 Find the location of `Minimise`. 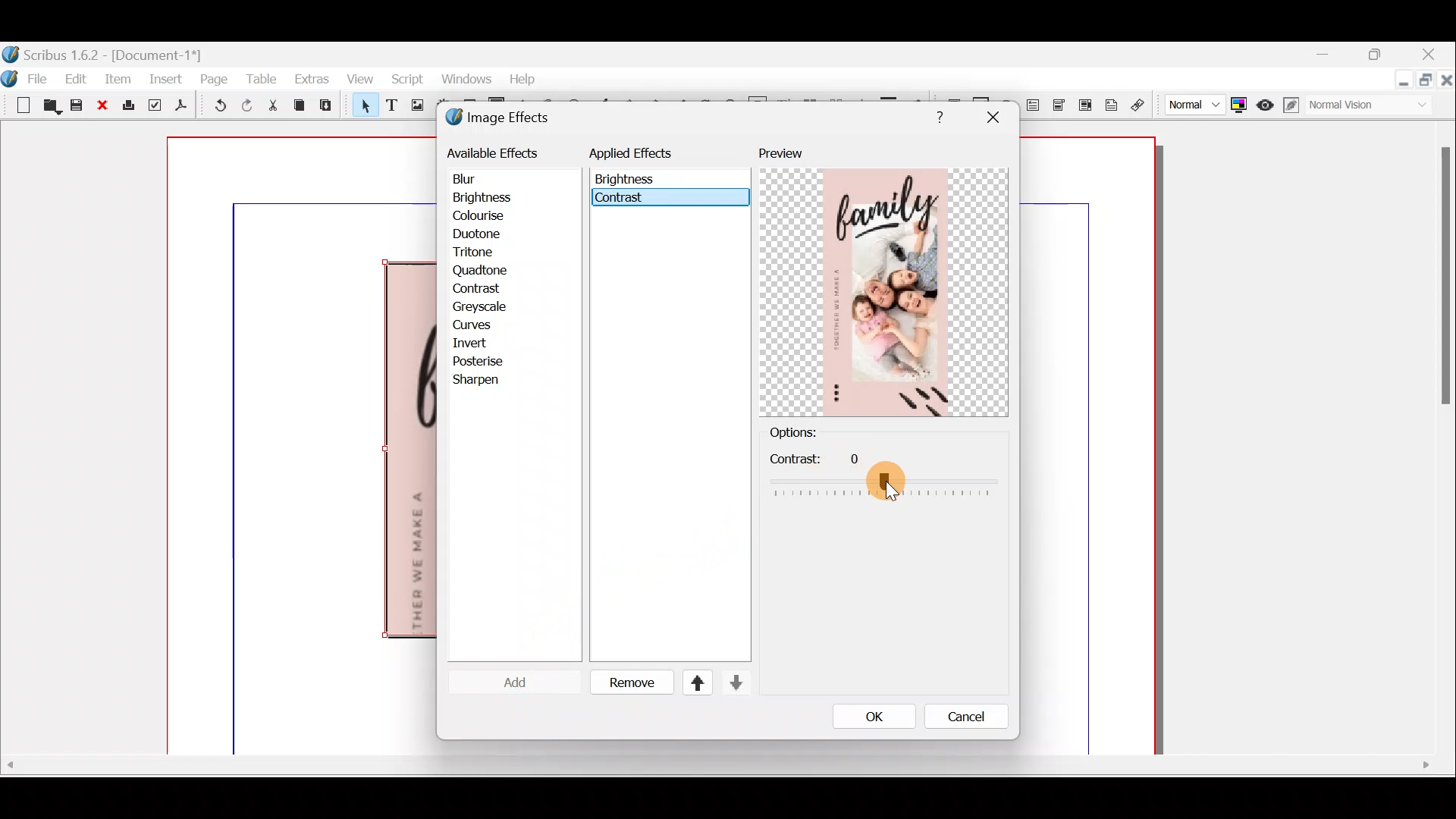

Minimise is located at coordinates (1402, 81).